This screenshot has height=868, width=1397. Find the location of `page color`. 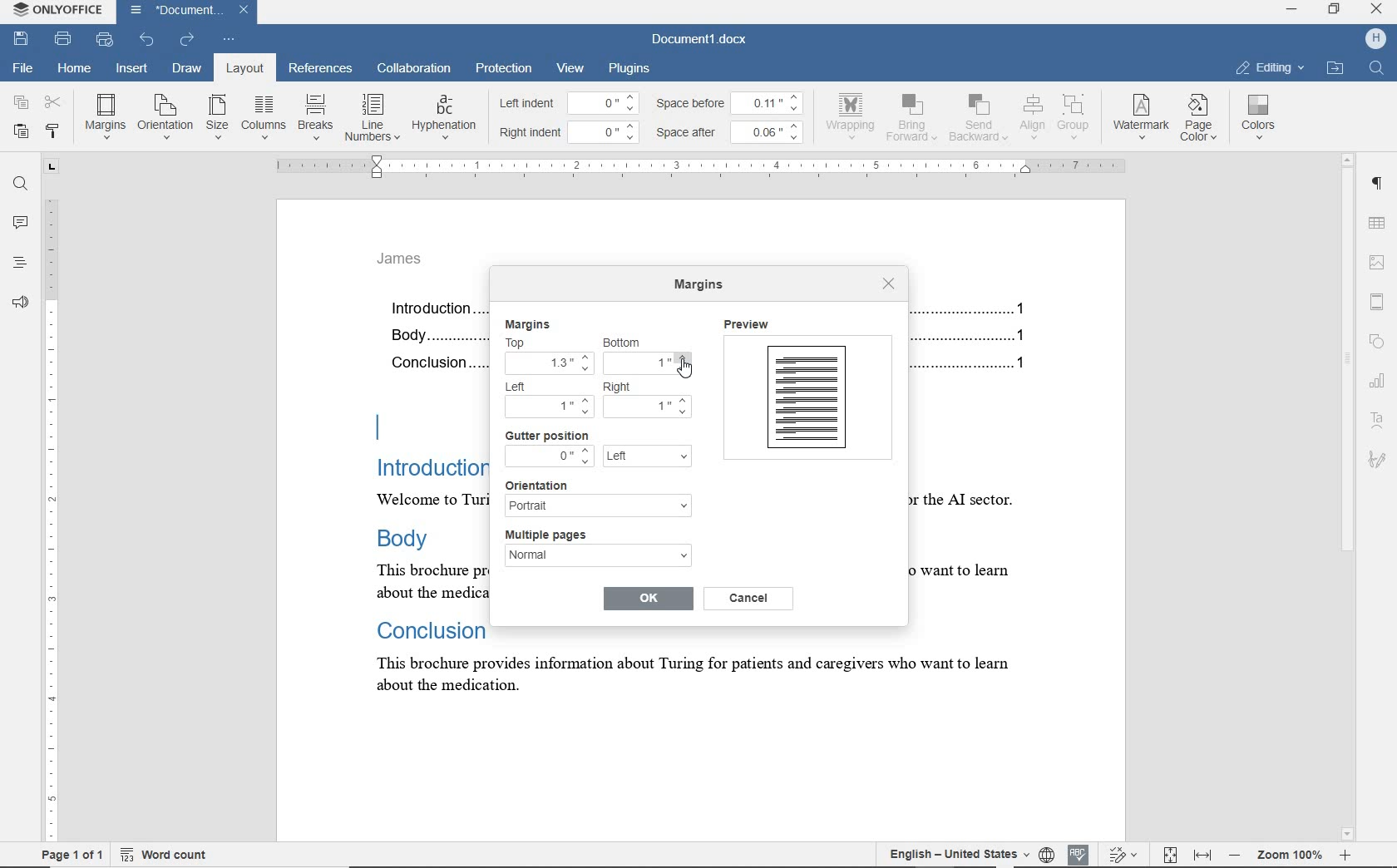

page color is located at coordinates (1202, 120).